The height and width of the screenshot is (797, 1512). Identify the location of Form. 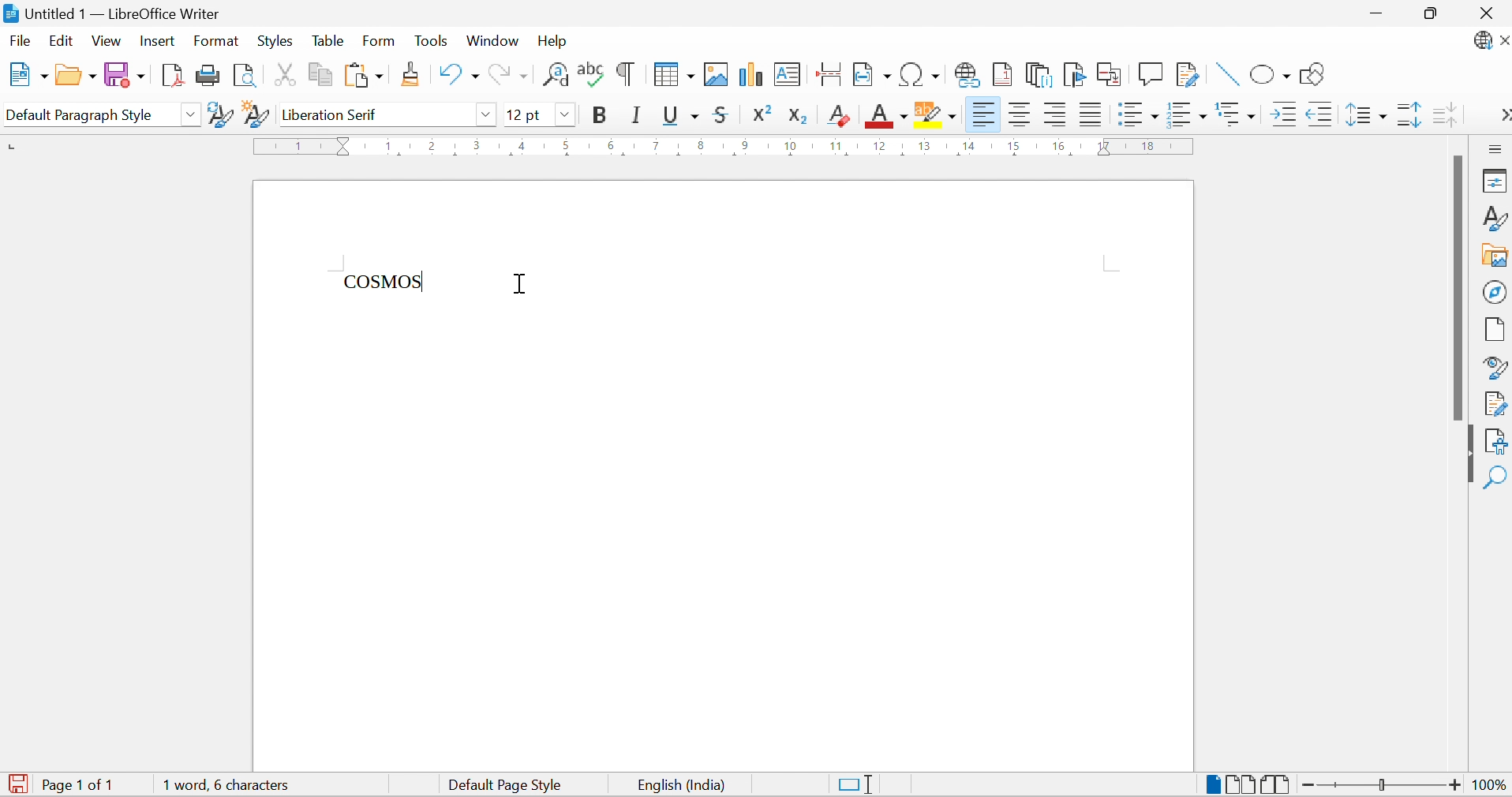
(380, 40).